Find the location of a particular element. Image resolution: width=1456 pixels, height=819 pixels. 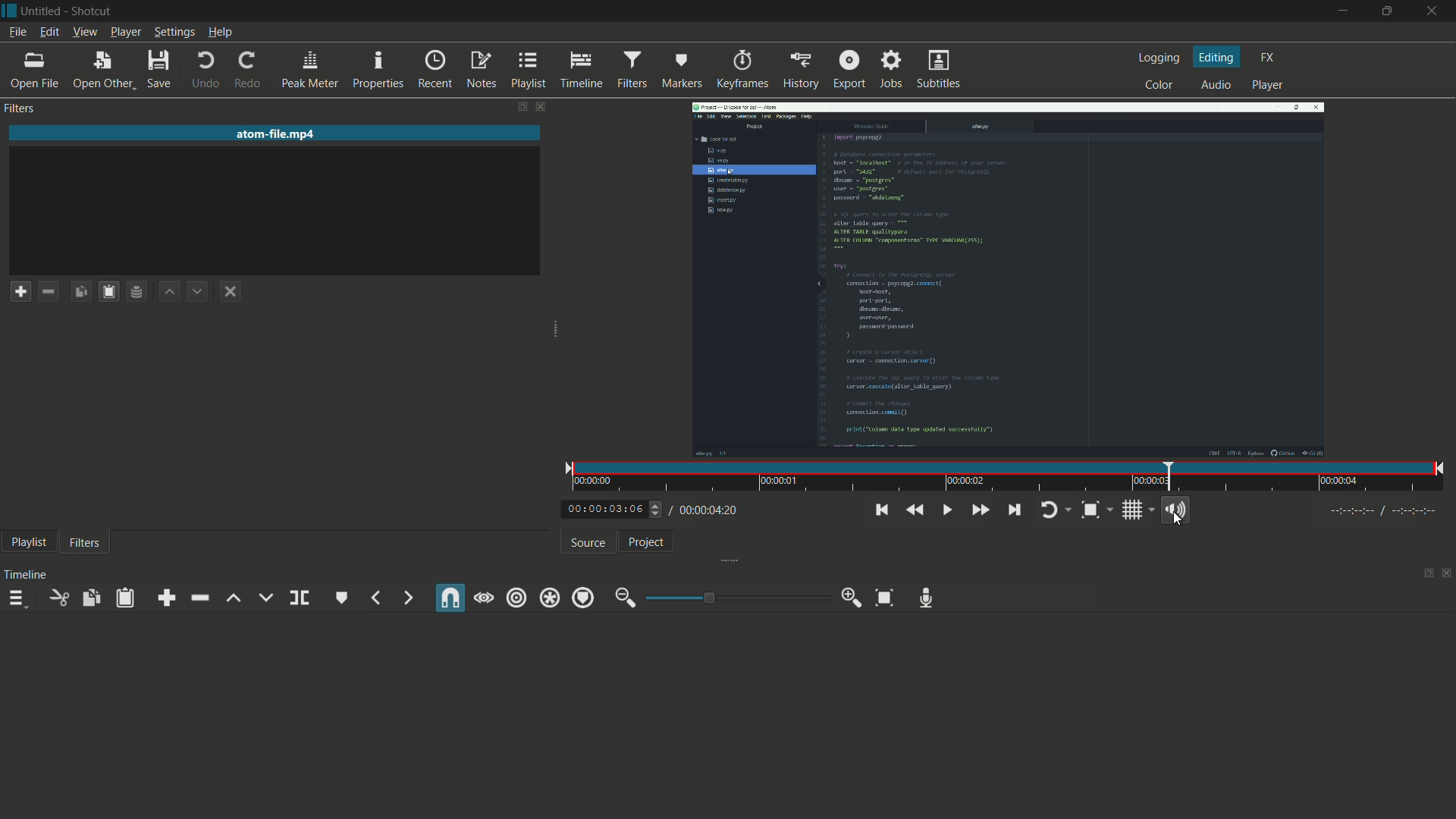

undo is located at coordinates (202, 70).